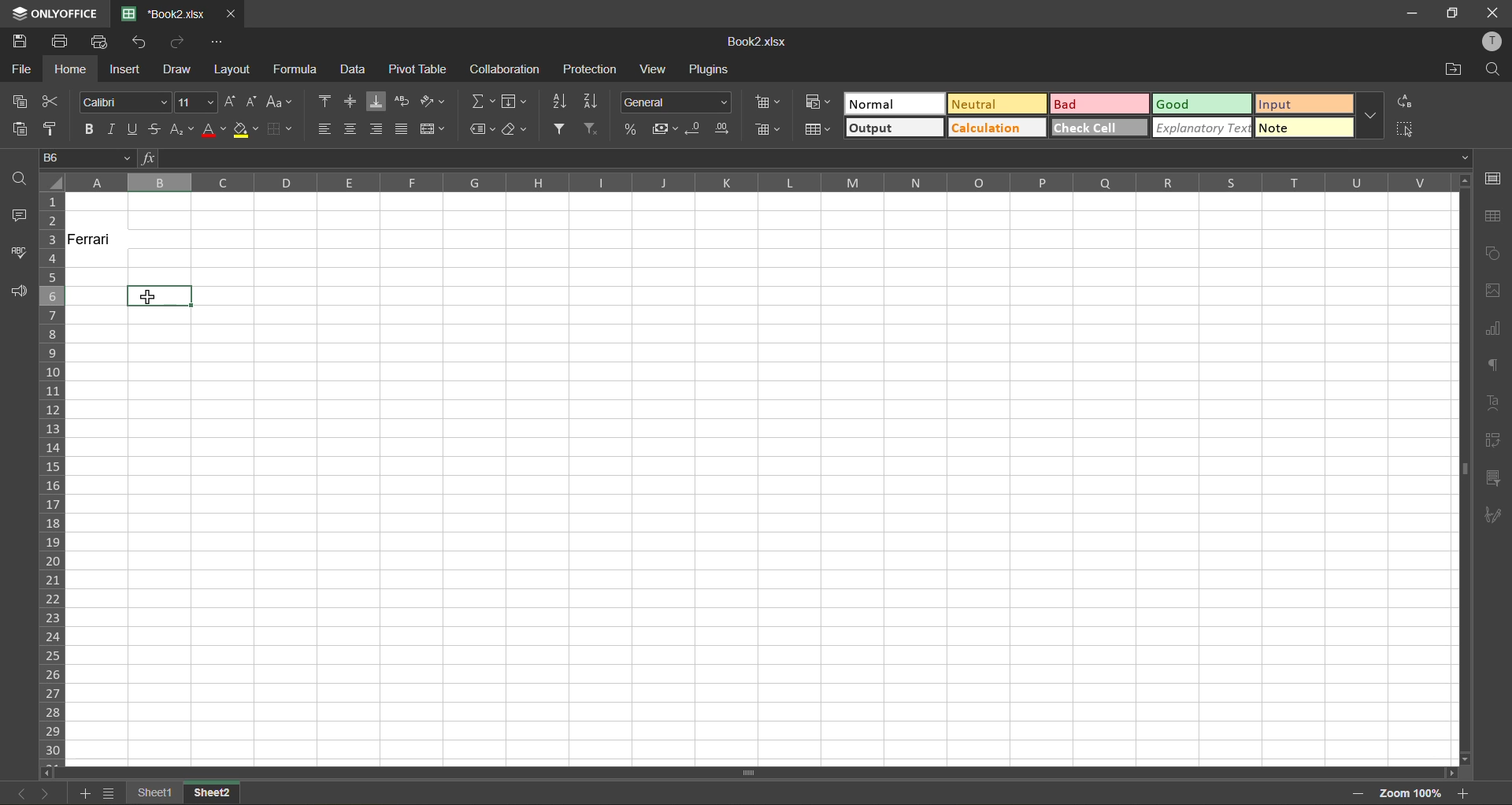  What do you see at coordinates (432, 128) in the screenshot?
I see `merge and center` at bounding box center [432, 128].